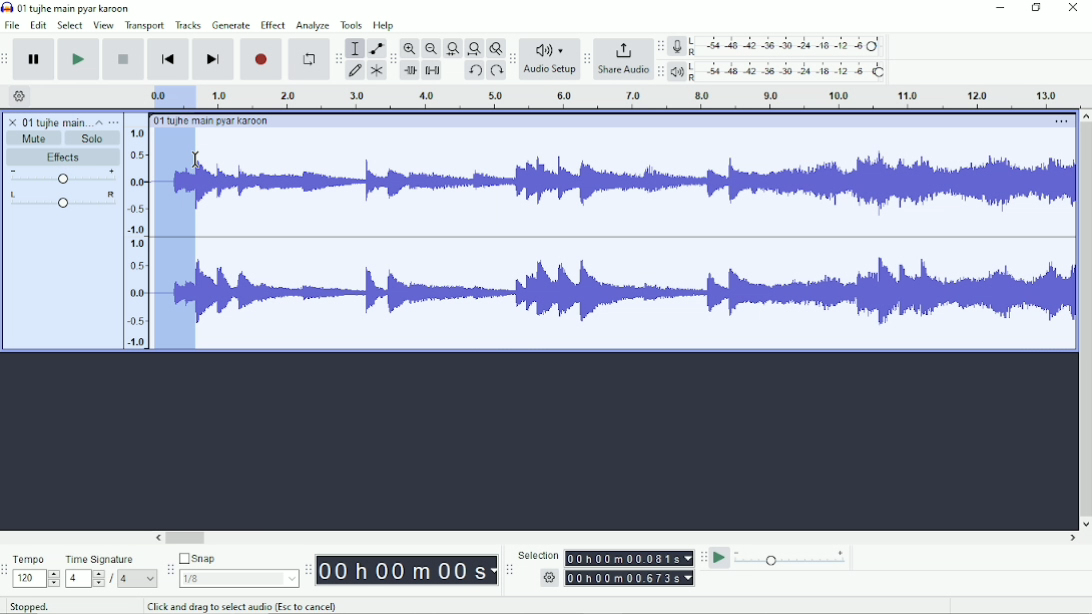 The height and width of the screenshot is (614, 1092). Describe the element at coordinates (36, 559) in the screenshot. I see `Tempo` at that location.